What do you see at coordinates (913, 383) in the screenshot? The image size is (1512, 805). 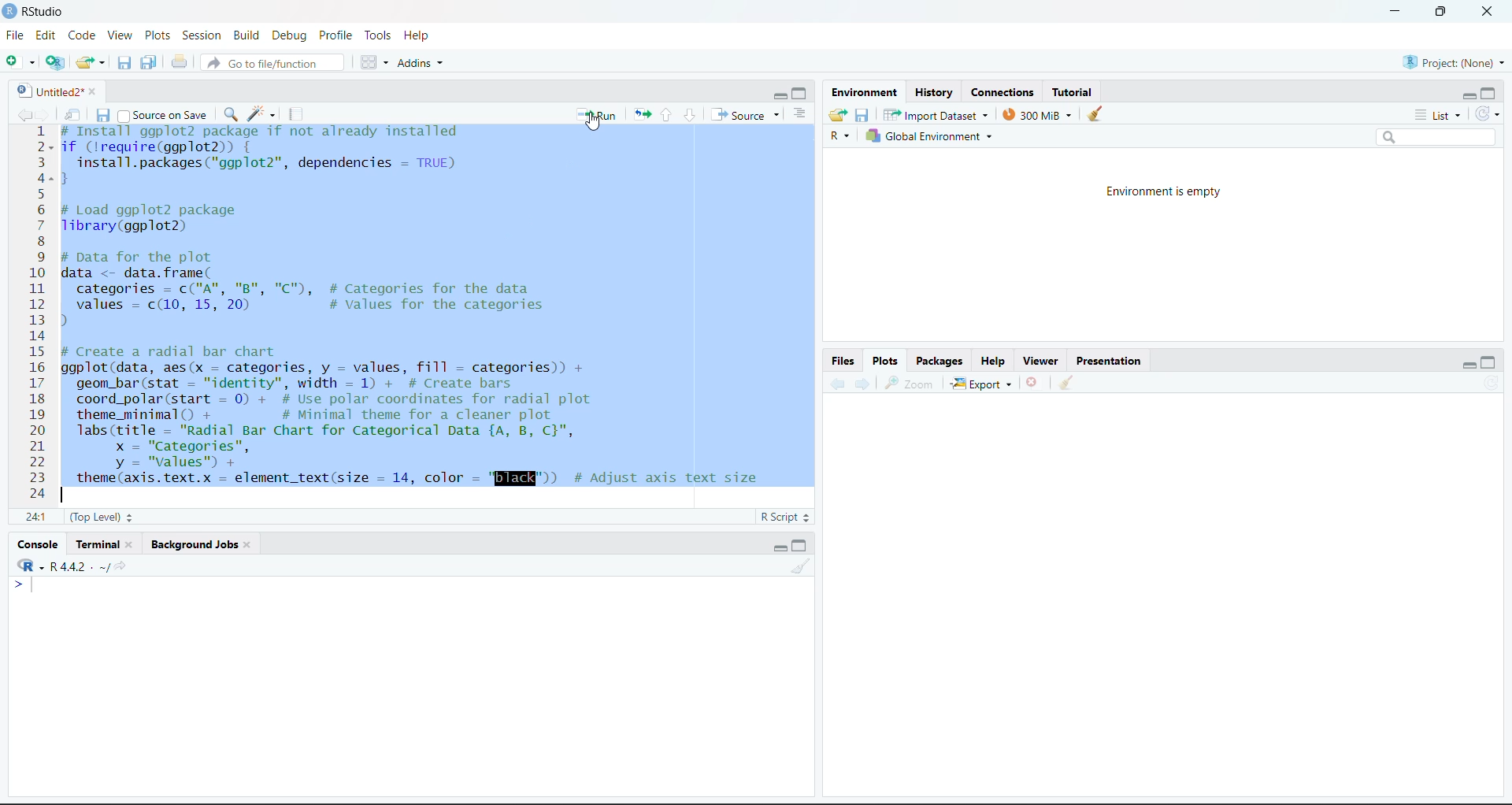 I see `zoom` at bounding box center [913, 383].